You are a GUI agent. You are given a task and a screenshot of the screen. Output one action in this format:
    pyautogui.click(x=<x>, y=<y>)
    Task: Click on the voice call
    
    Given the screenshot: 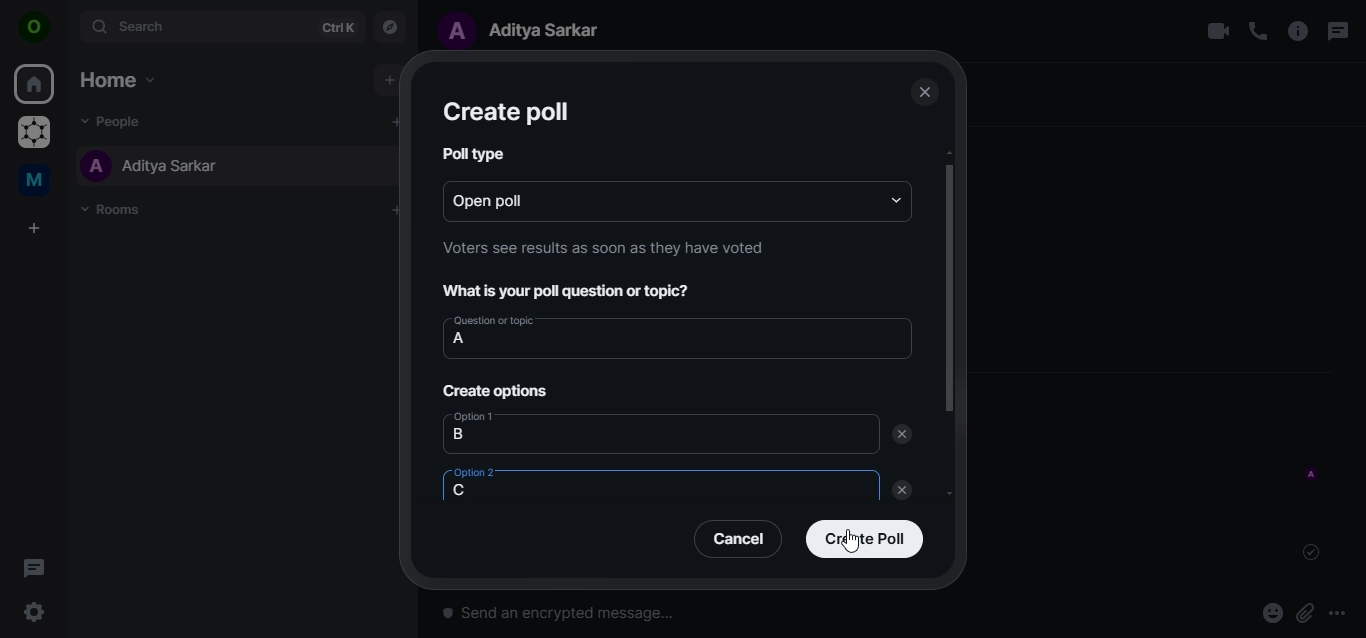 What is the action you would take?
    pyautogui.click(x=1258, y=31)
    